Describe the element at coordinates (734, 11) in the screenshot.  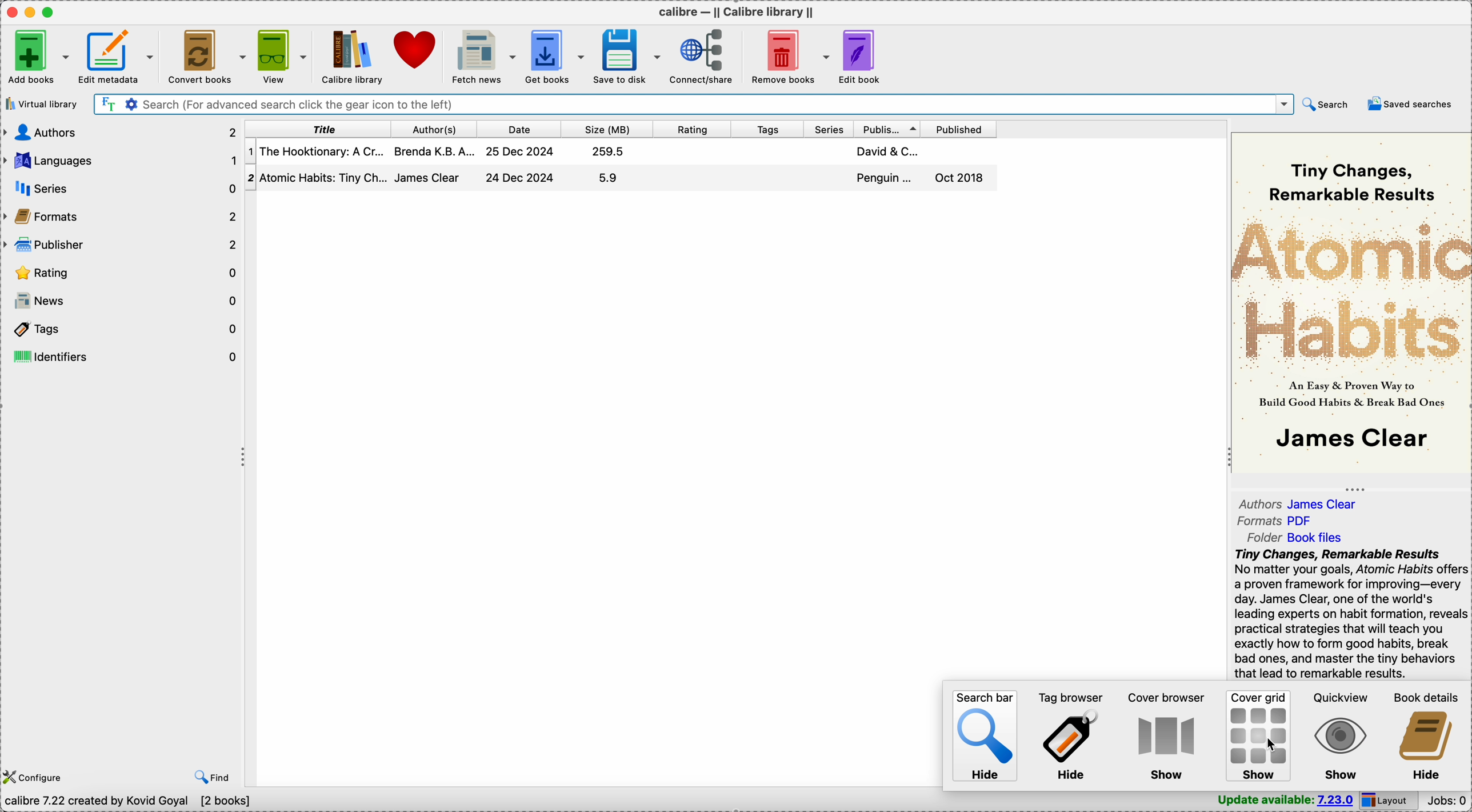
I see `Calibre - || calibre library ||` at that location.